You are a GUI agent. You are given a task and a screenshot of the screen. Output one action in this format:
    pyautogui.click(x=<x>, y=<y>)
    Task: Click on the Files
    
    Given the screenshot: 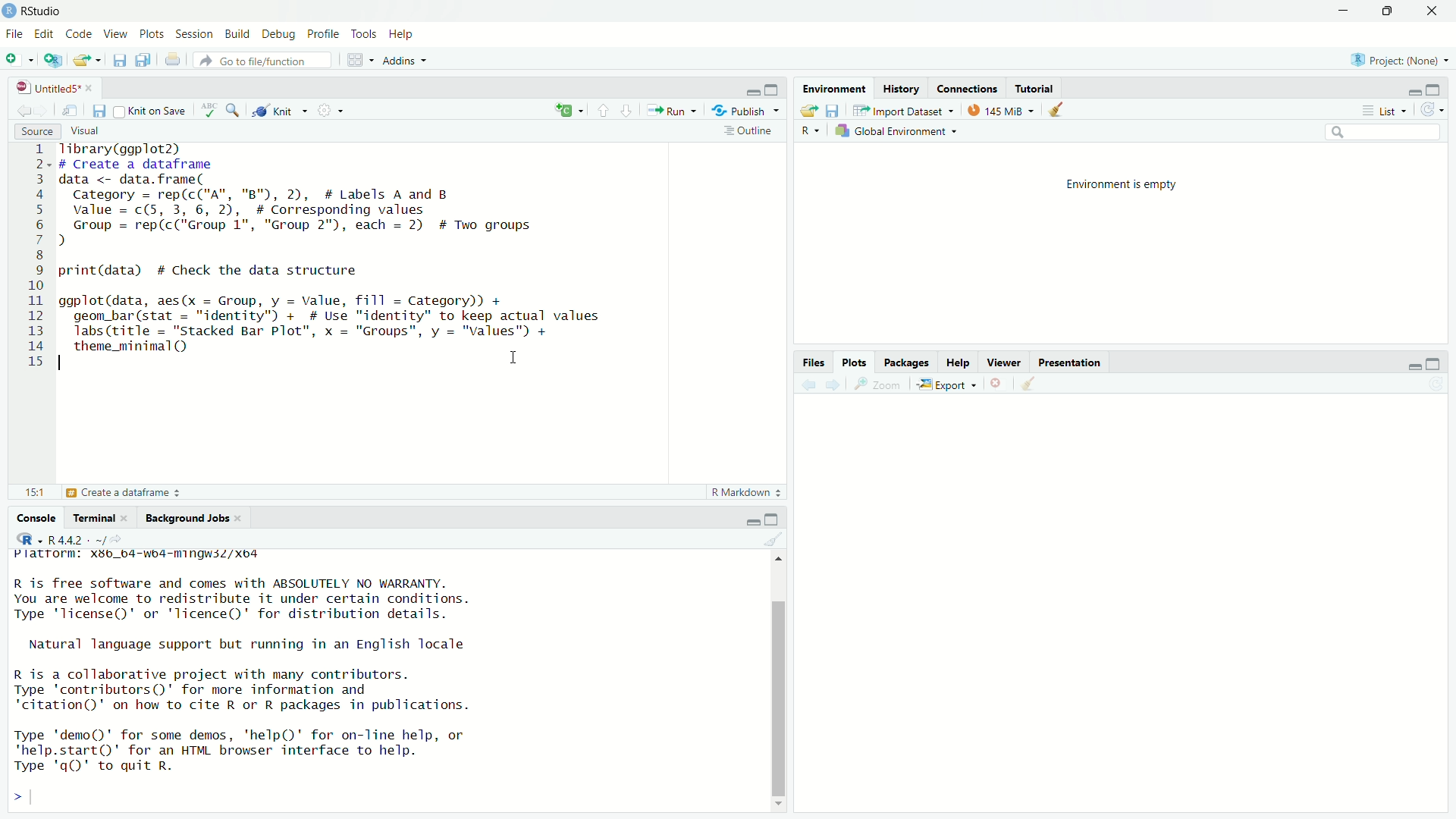 What is the action you would take?
    pyautogui.click(x=814, y=360)
    